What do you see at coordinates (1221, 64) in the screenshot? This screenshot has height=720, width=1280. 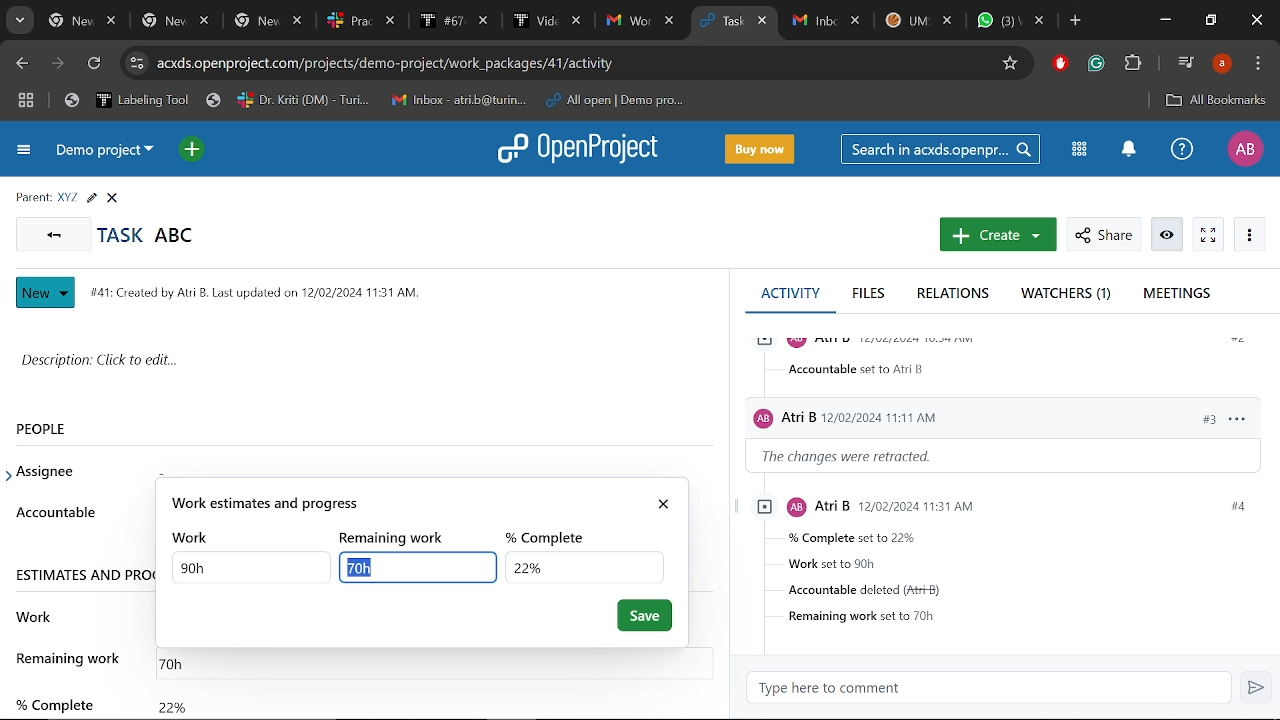 I see `Profile` at bounding box center [1221, 64].